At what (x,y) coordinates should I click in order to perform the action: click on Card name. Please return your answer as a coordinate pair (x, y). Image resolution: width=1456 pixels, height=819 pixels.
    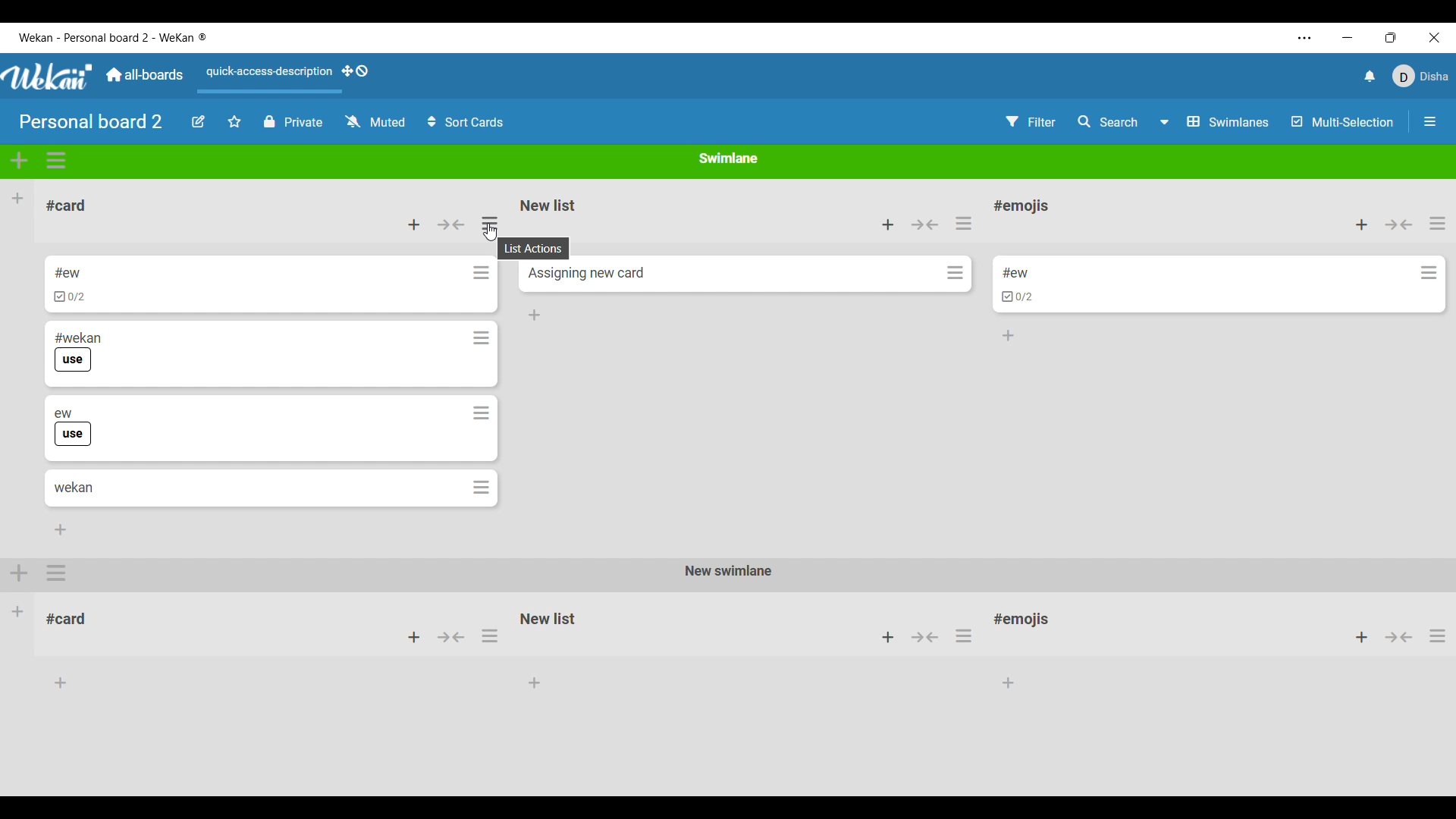
    Looking at the image, I should click on (586, 273).